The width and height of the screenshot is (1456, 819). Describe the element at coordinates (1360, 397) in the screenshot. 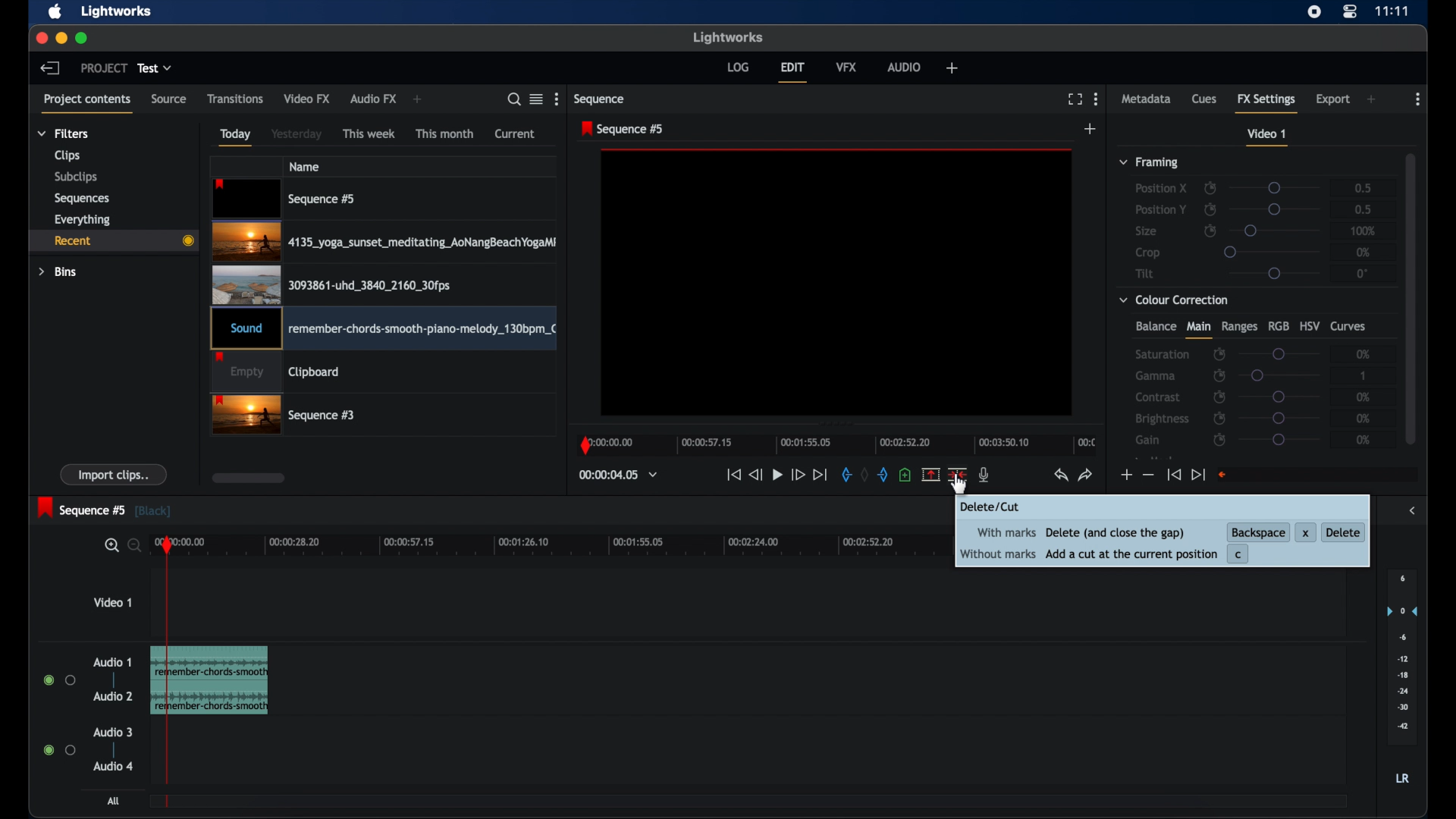

I see `0%` at that location.